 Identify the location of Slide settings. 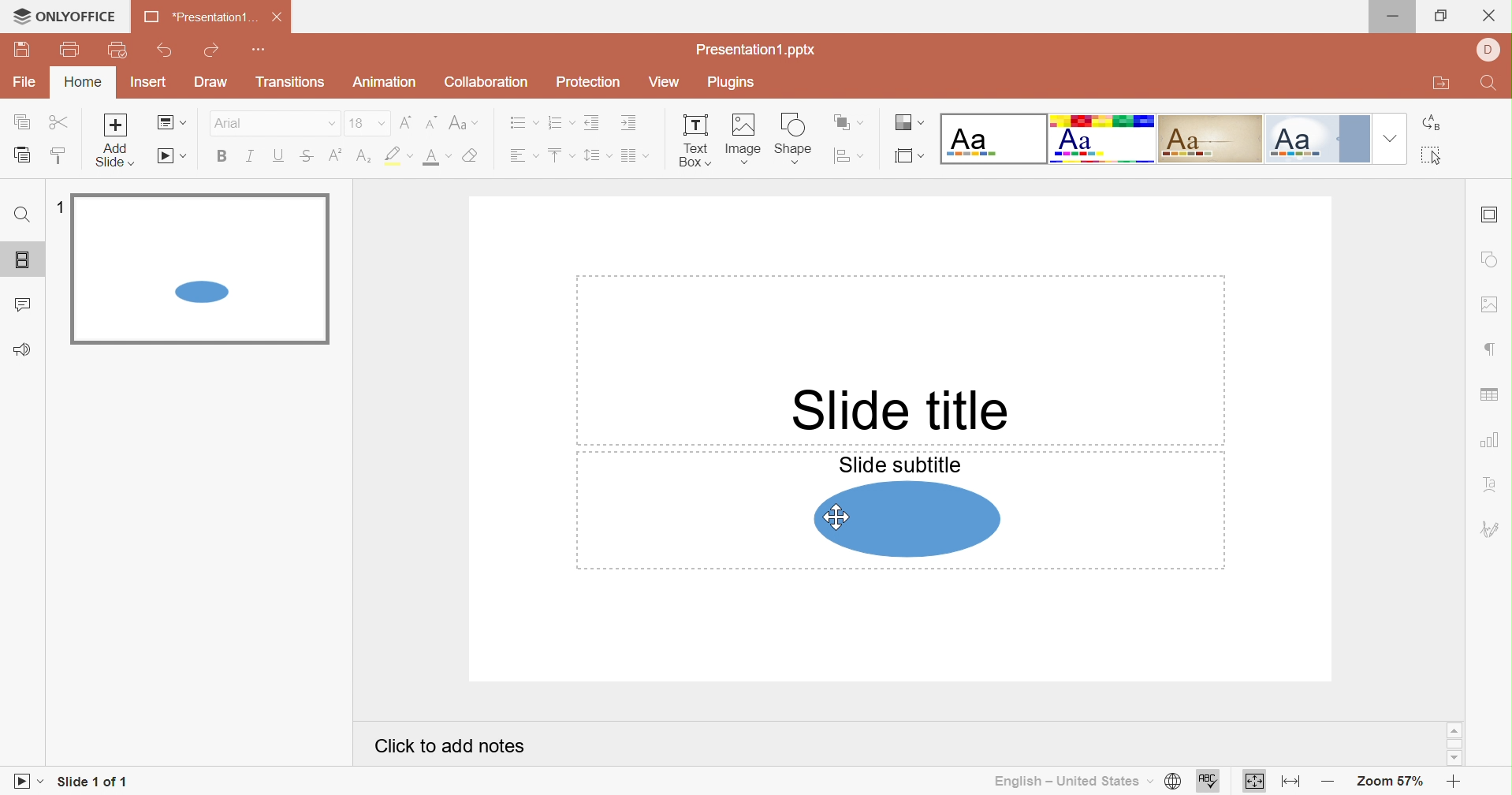
(1491, 215).